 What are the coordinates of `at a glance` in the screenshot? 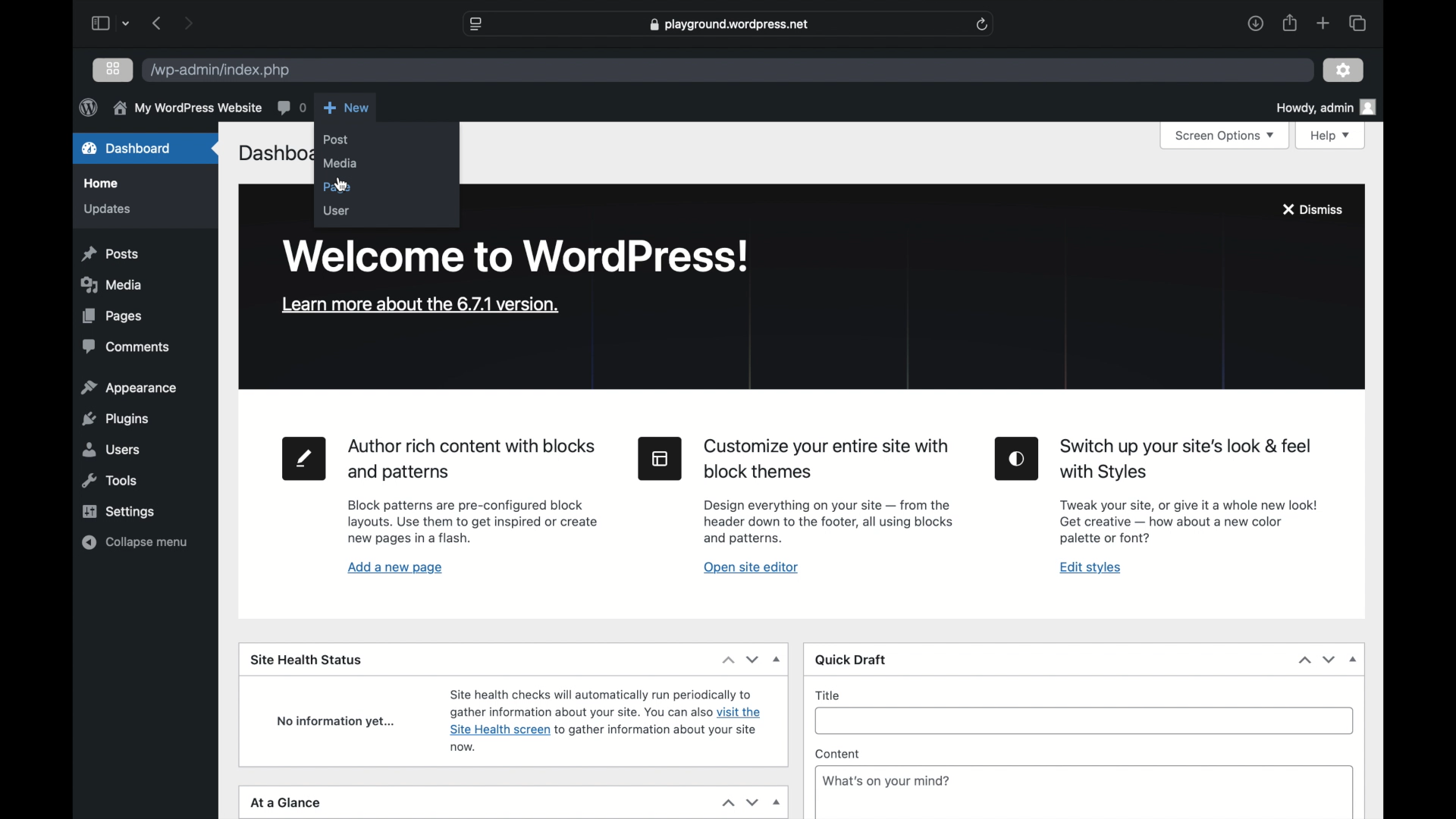 It's located at (285, 802).